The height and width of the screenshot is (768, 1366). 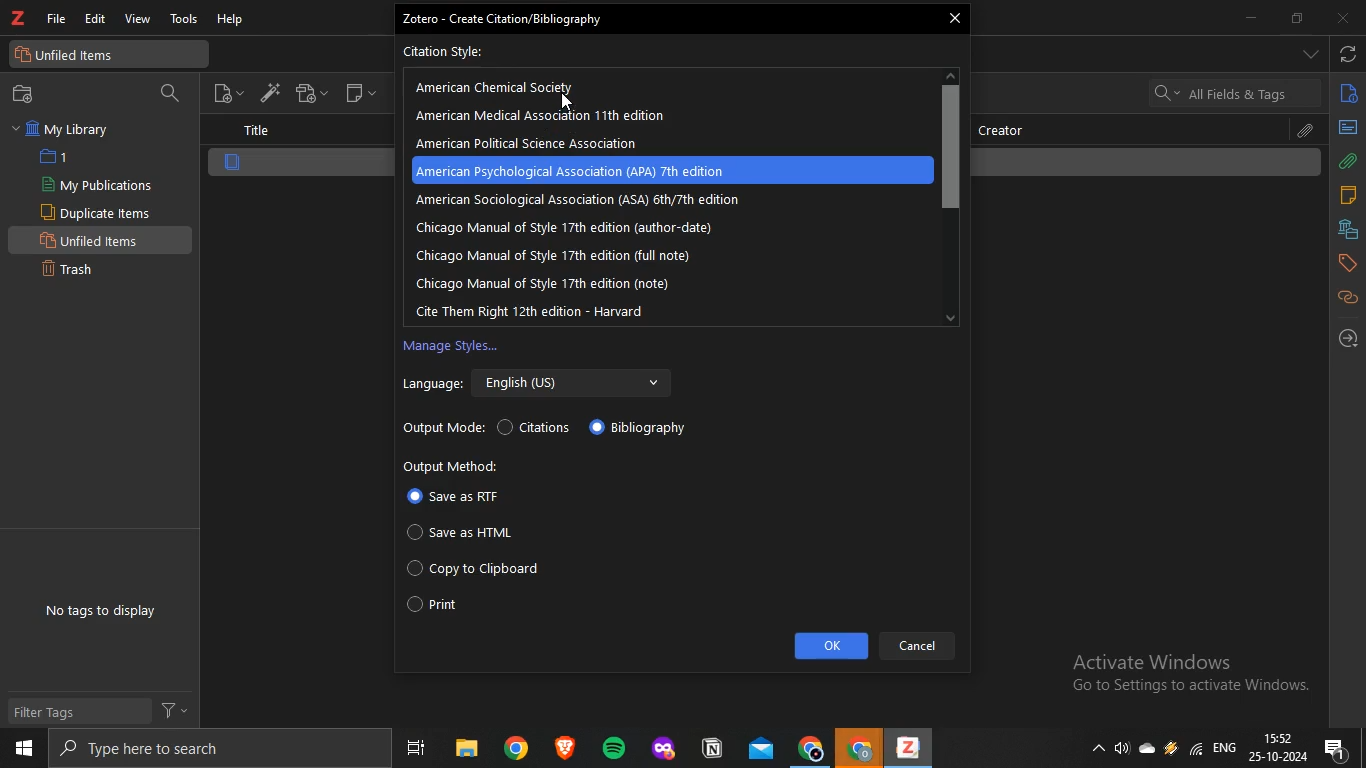 What do you see at coordinates (432, 386) in the screenshot?
I see `Language:` at bounding box center [432, 386].